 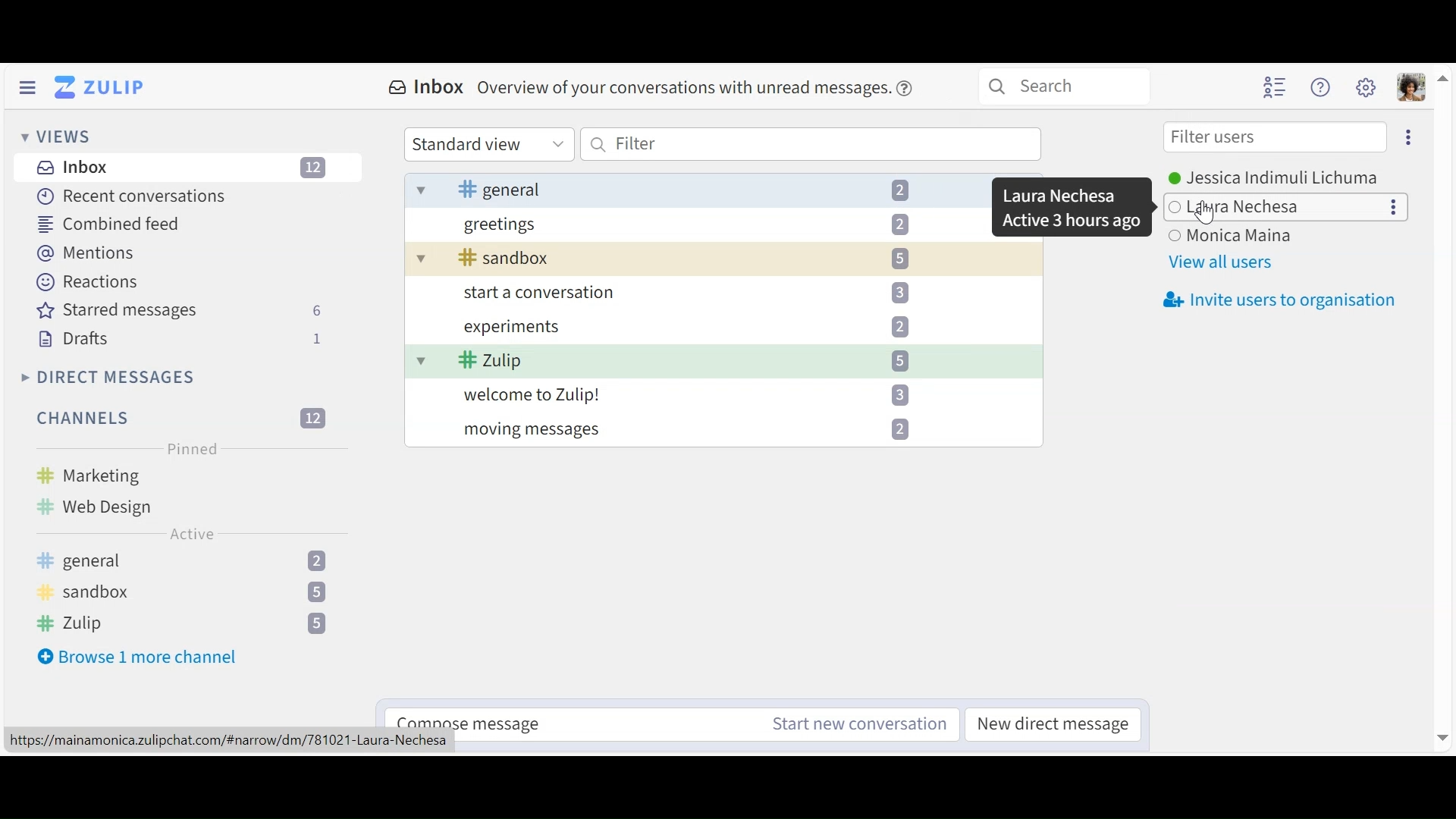 What do you see at coordinates (1272, 86) in the screenshot?
I see `Hide user list` at bounding box center [1272, 86].